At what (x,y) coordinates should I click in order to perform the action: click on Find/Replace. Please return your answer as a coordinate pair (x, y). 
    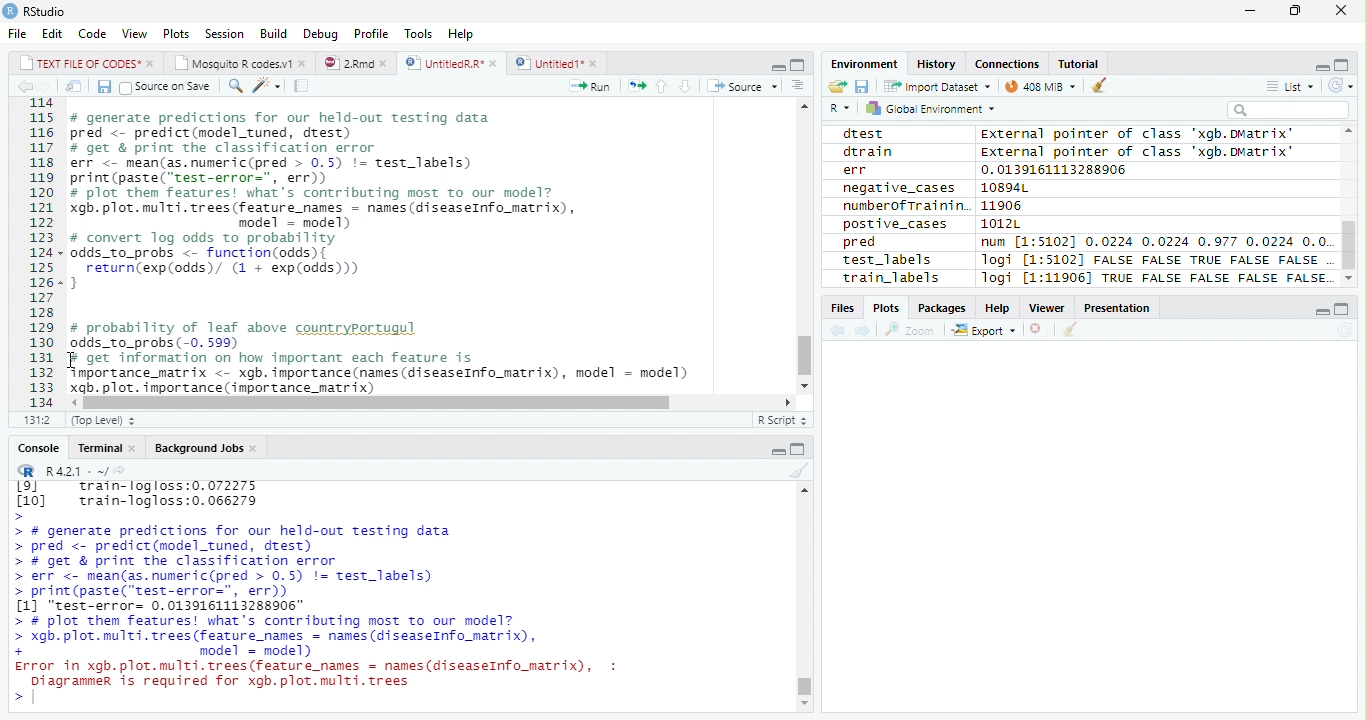
    Looking at the image, I should click on (233, 85).